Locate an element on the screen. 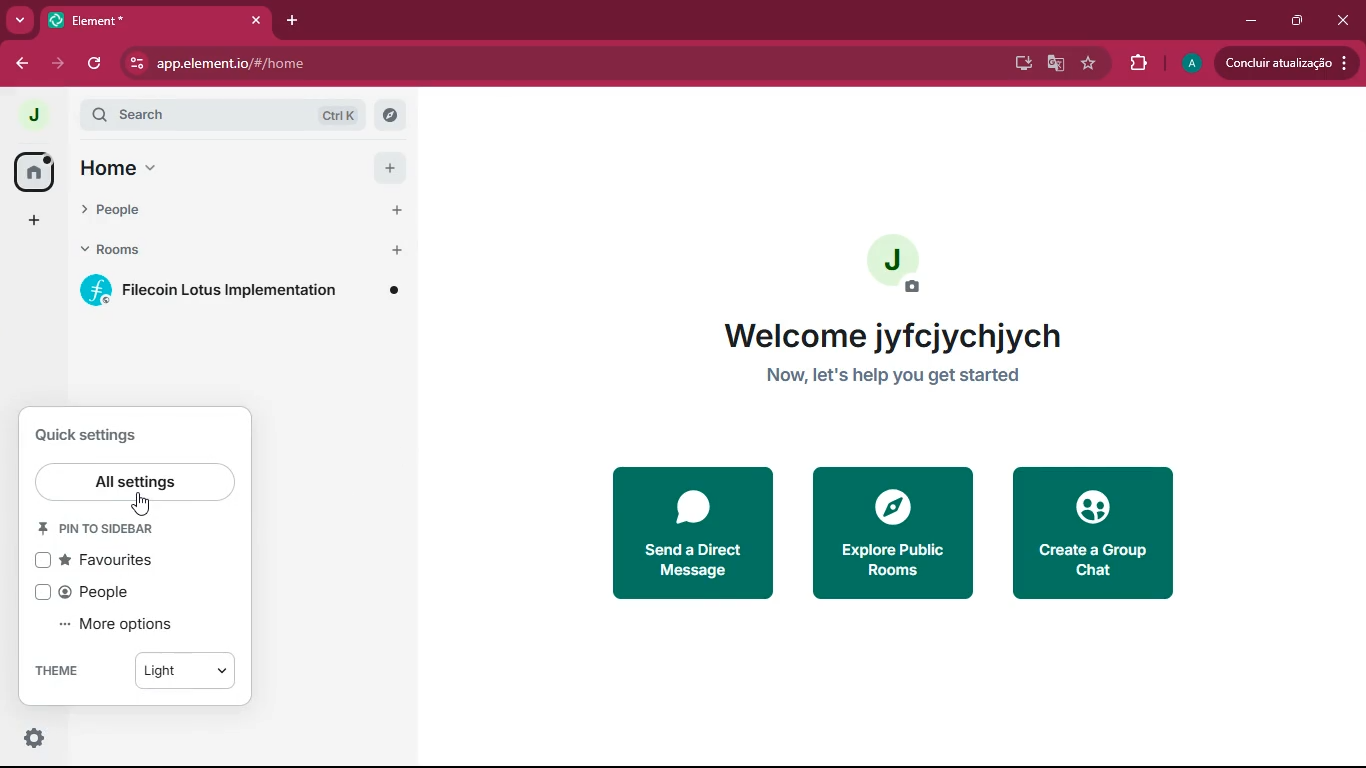 The width and height of the screenshot is (1366, 768). people is located at coordinates (207, 211).